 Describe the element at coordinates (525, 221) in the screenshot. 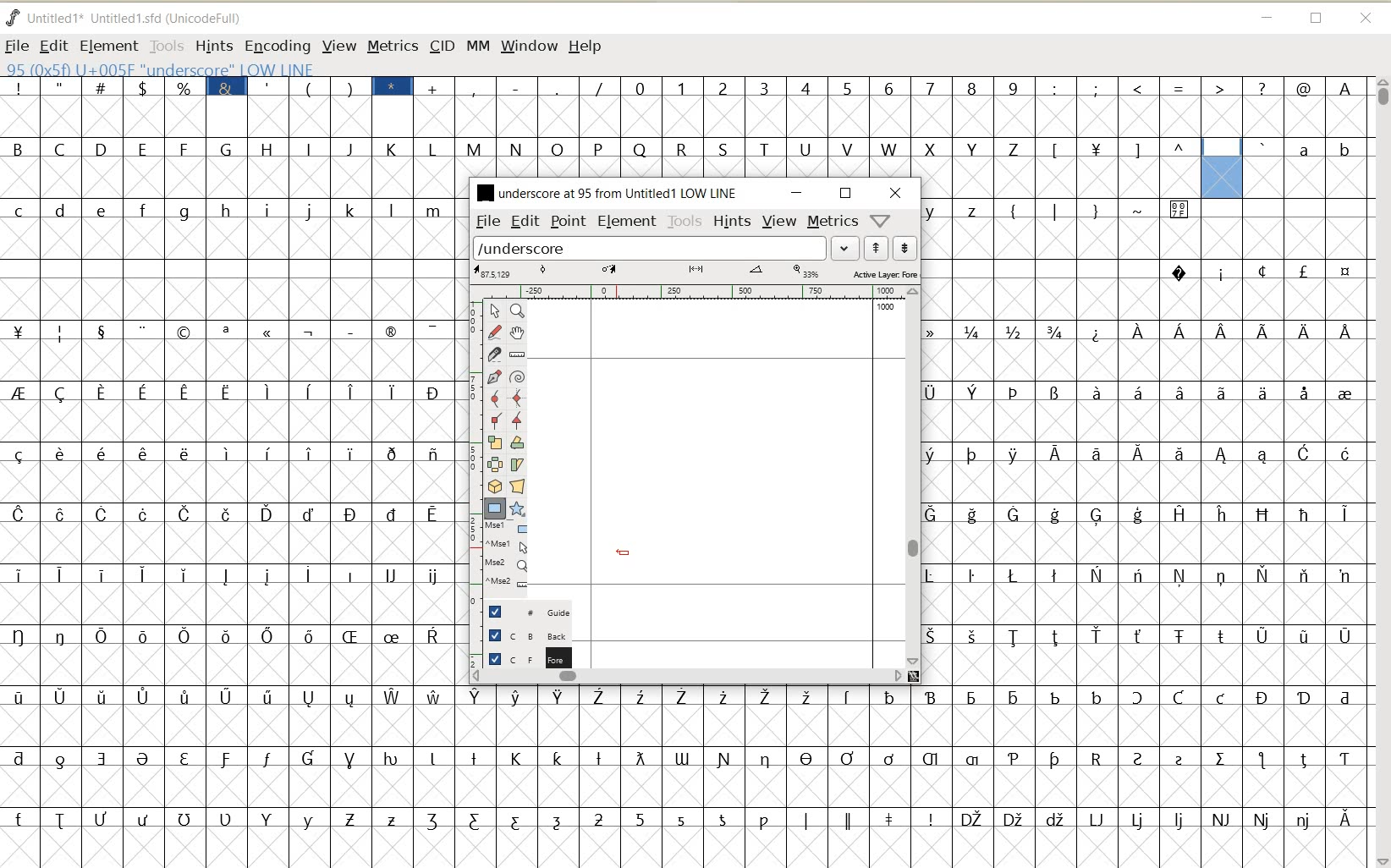

I see `EDIT` at that location.